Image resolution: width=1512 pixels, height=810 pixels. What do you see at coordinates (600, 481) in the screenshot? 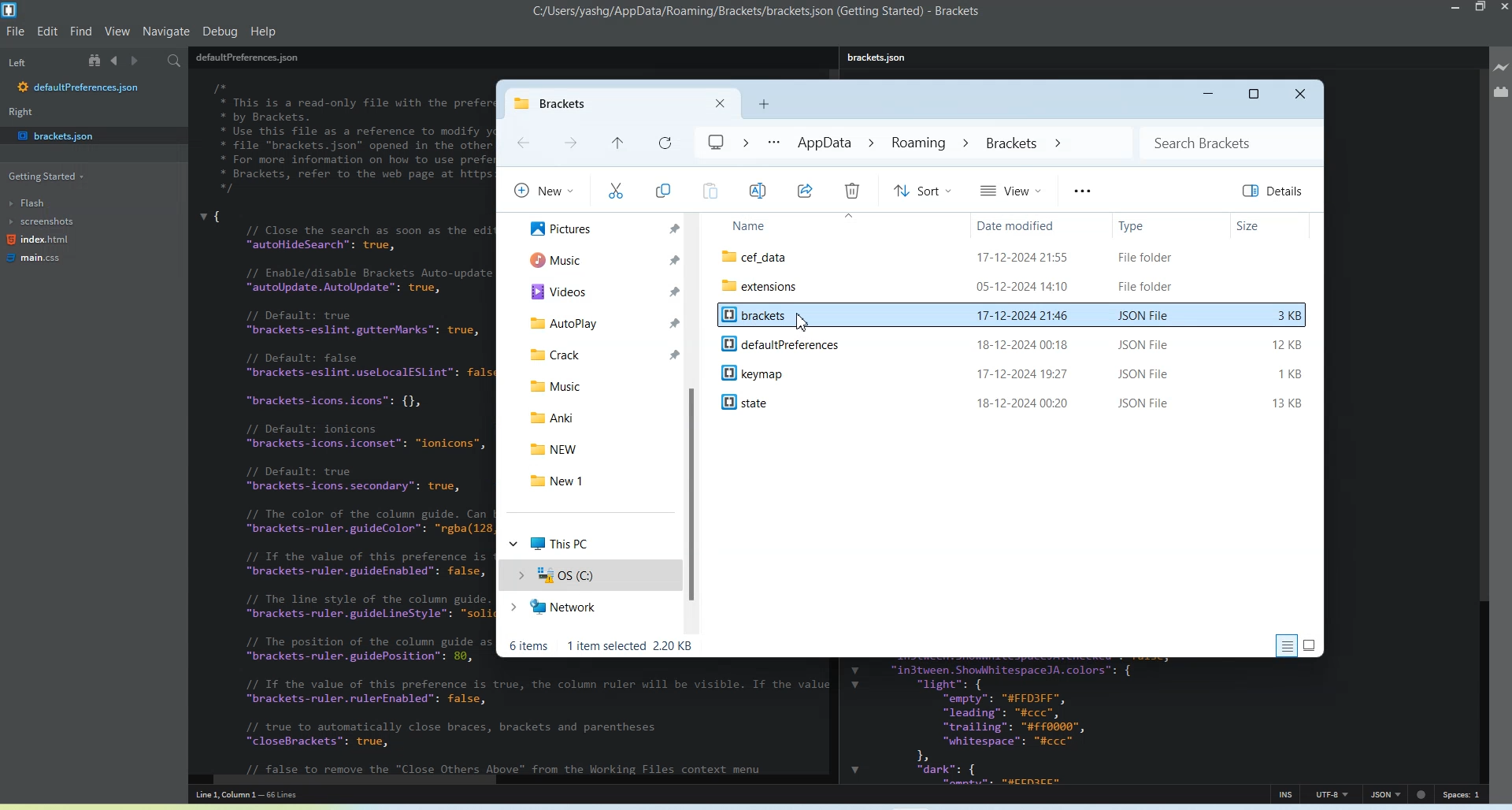
I see `New 1` at bounding box center [600, 481].